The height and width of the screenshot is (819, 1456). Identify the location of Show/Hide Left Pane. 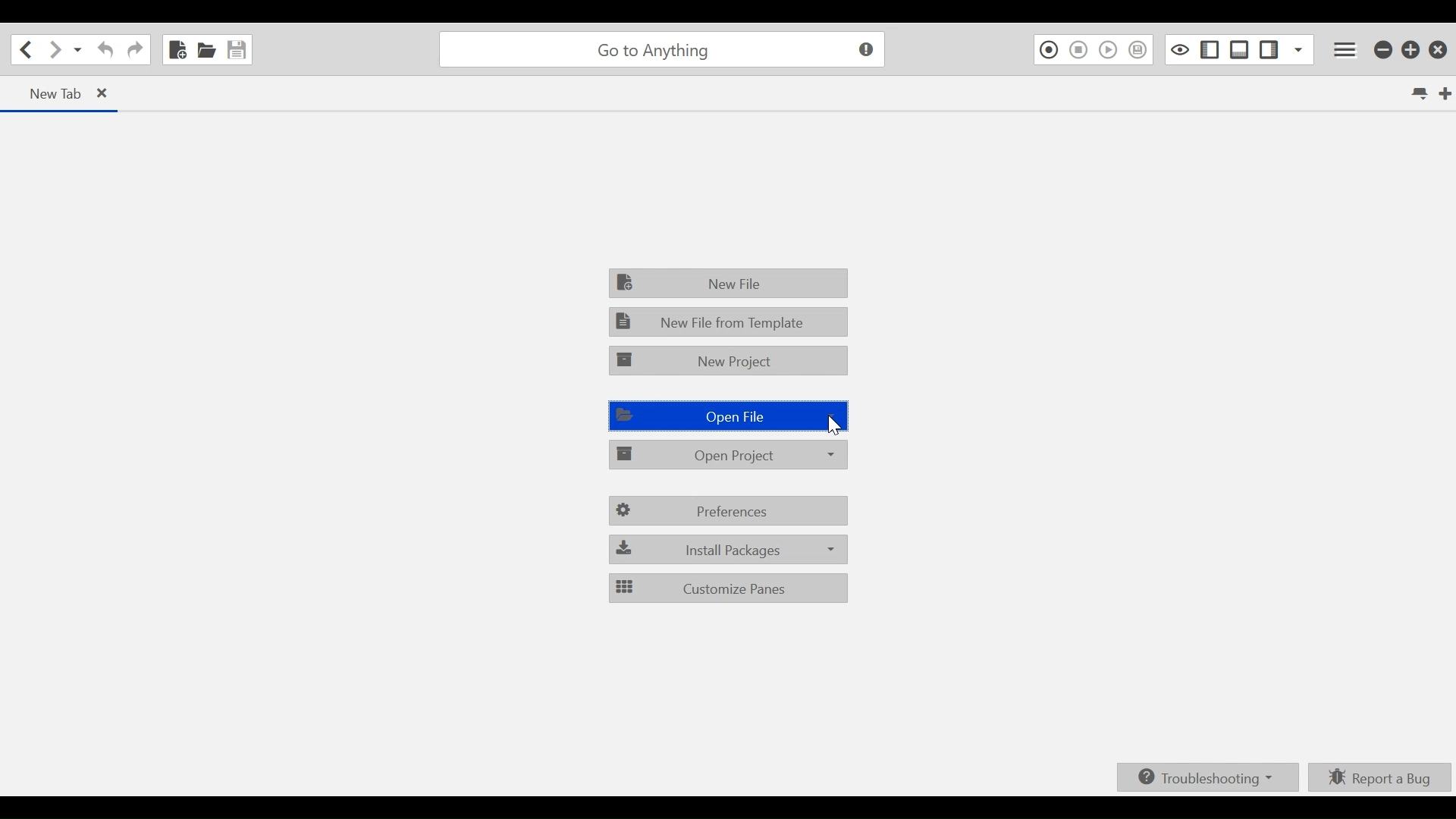
(1269, 49).